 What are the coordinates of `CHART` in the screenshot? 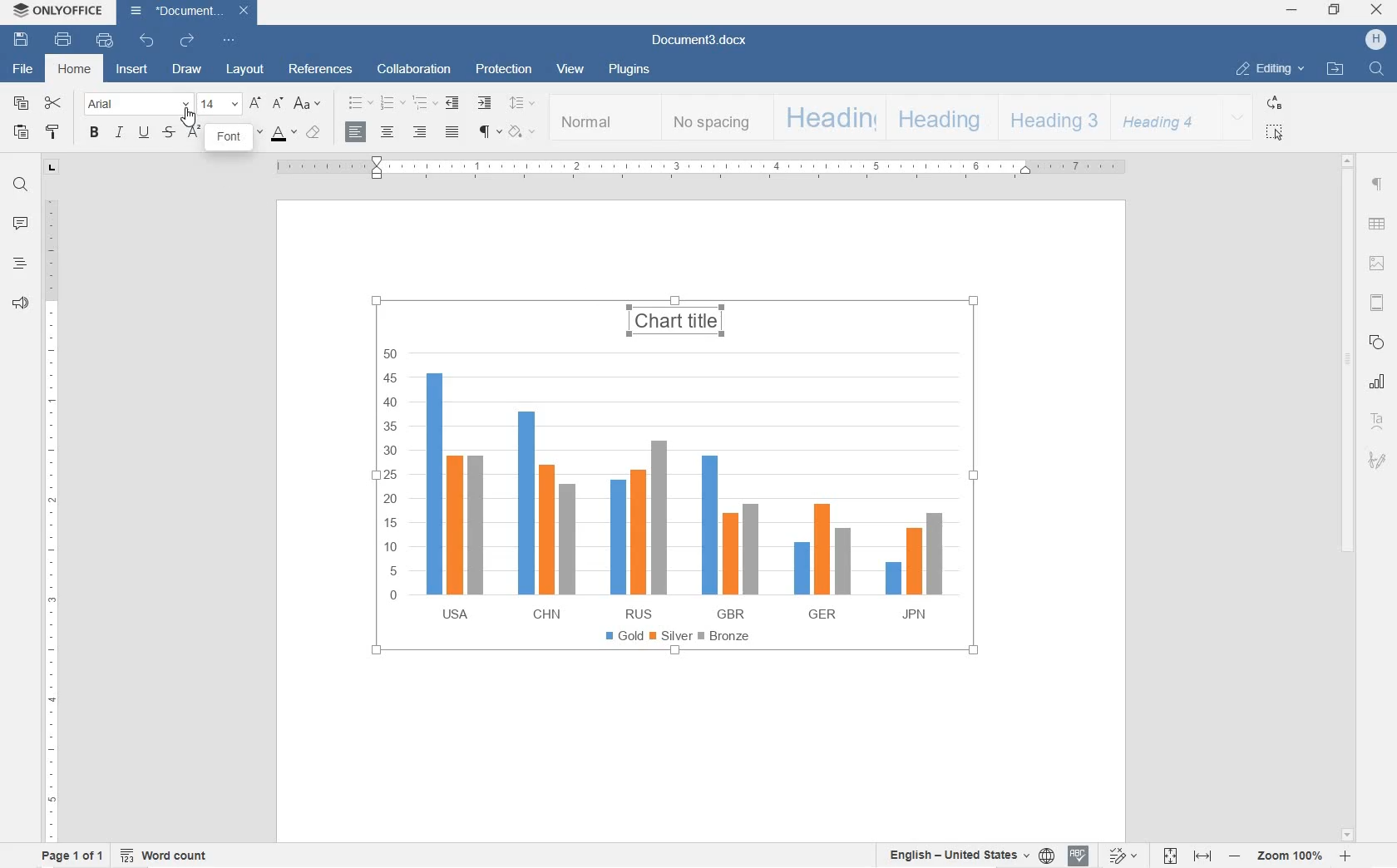 It's located at (680, 538).